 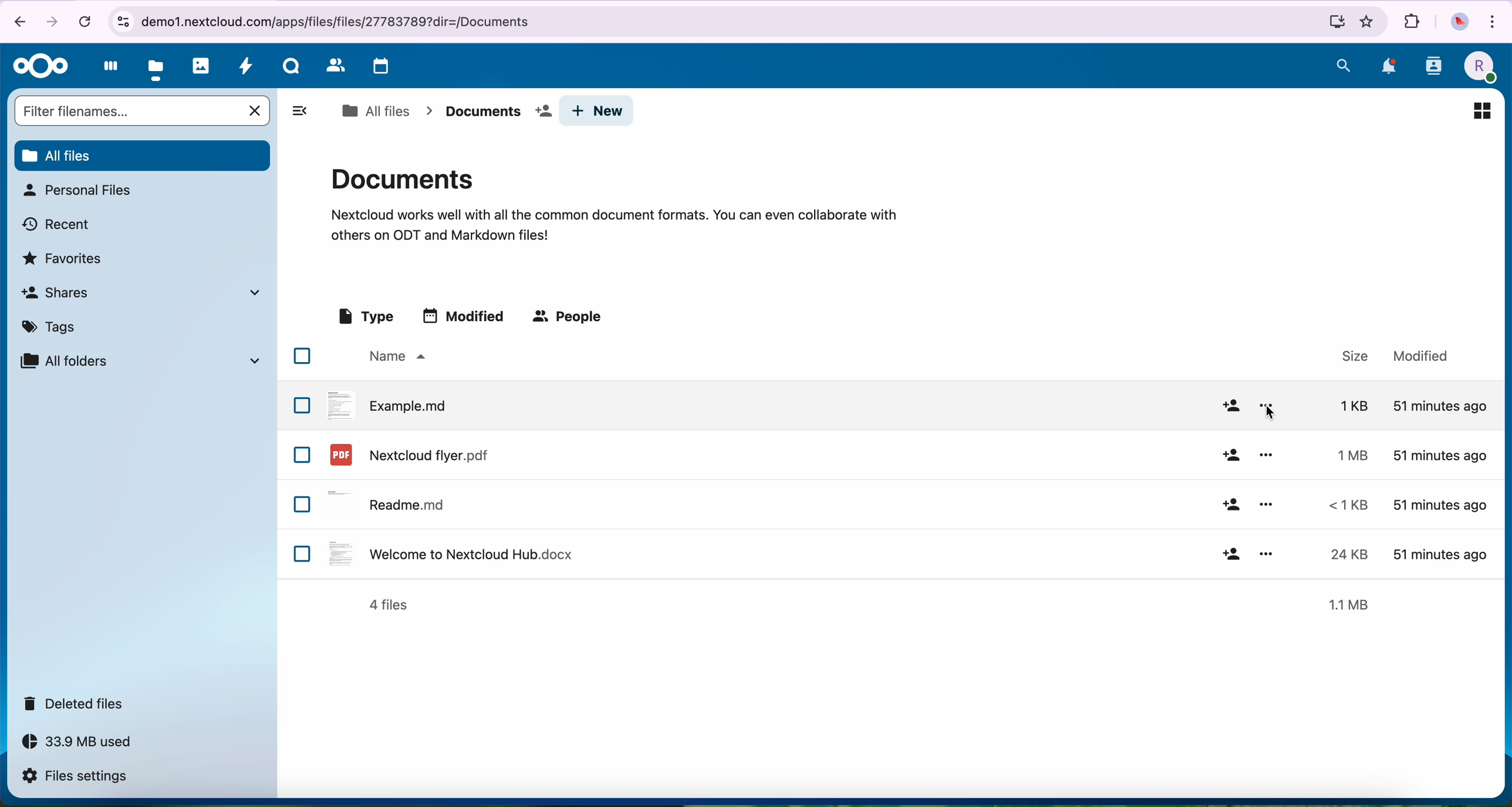 What do you see at coordinates (290, 69) in the screenshot?
I see `talk` at bounding box center [290, 69].